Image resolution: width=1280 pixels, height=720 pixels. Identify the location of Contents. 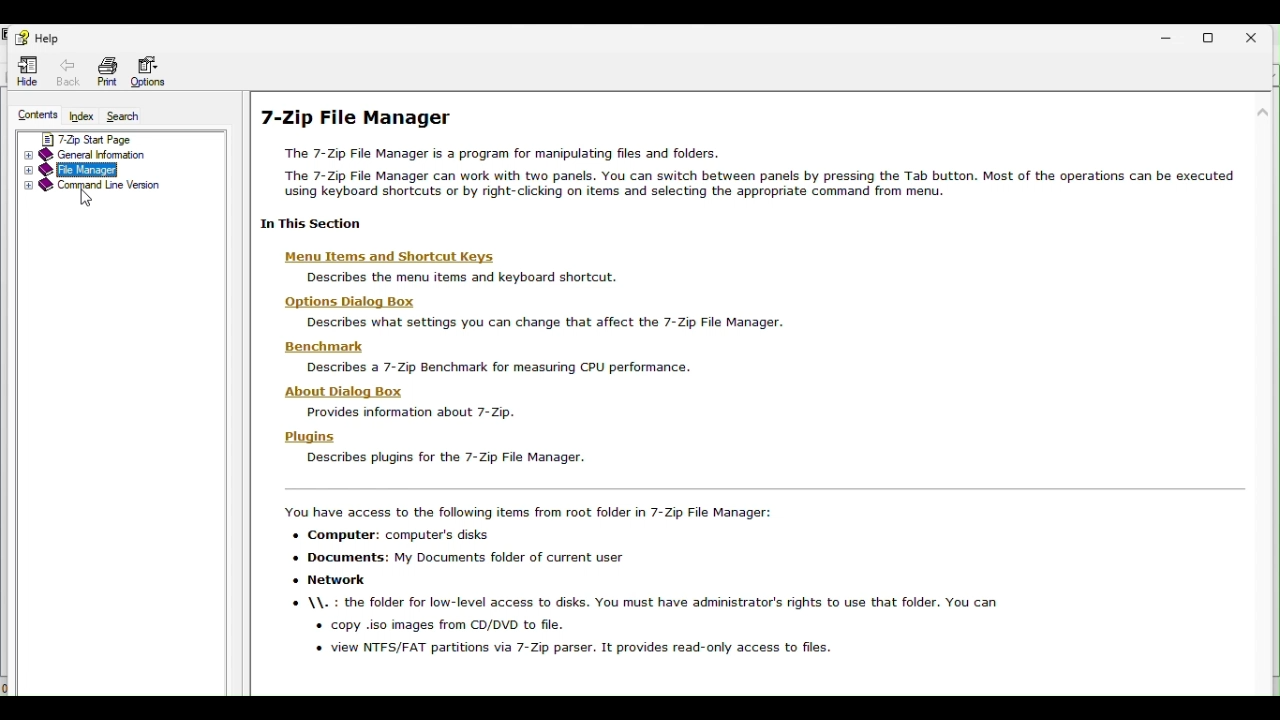
(36, 116).